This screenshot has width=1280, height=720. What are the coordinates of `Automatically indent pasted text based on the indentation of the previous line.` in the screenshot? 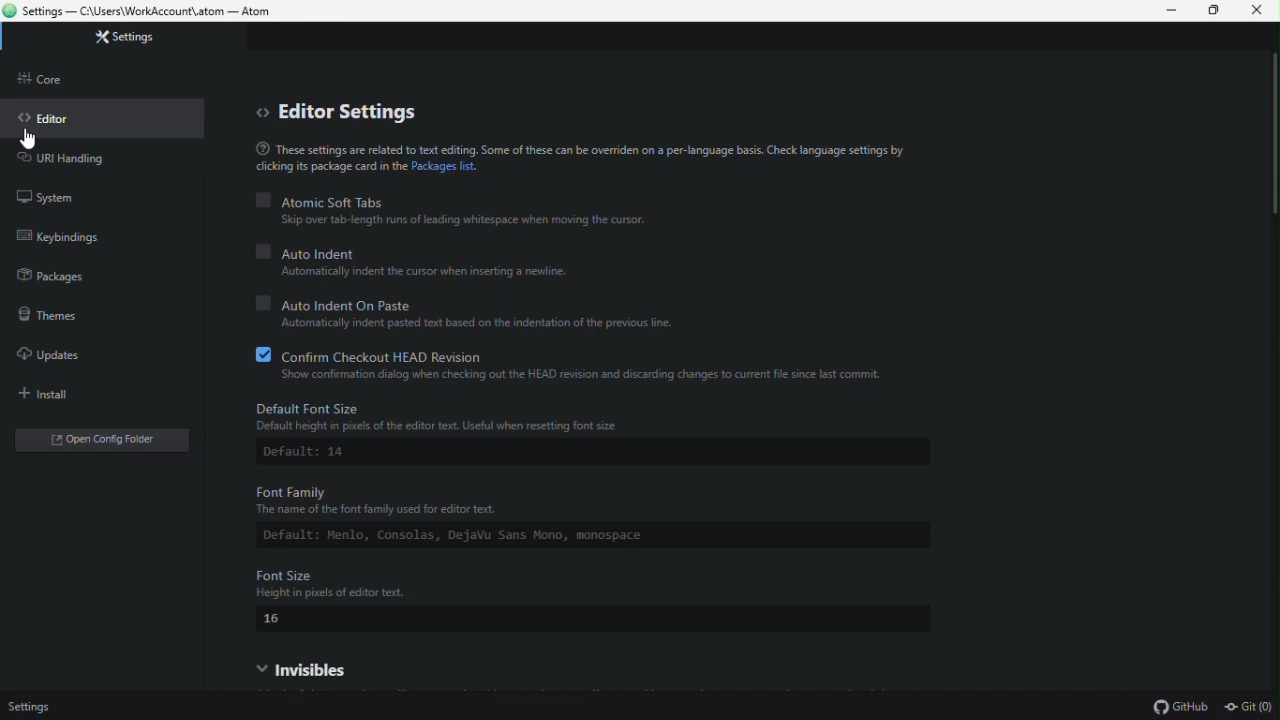 It's located at (483, 325).